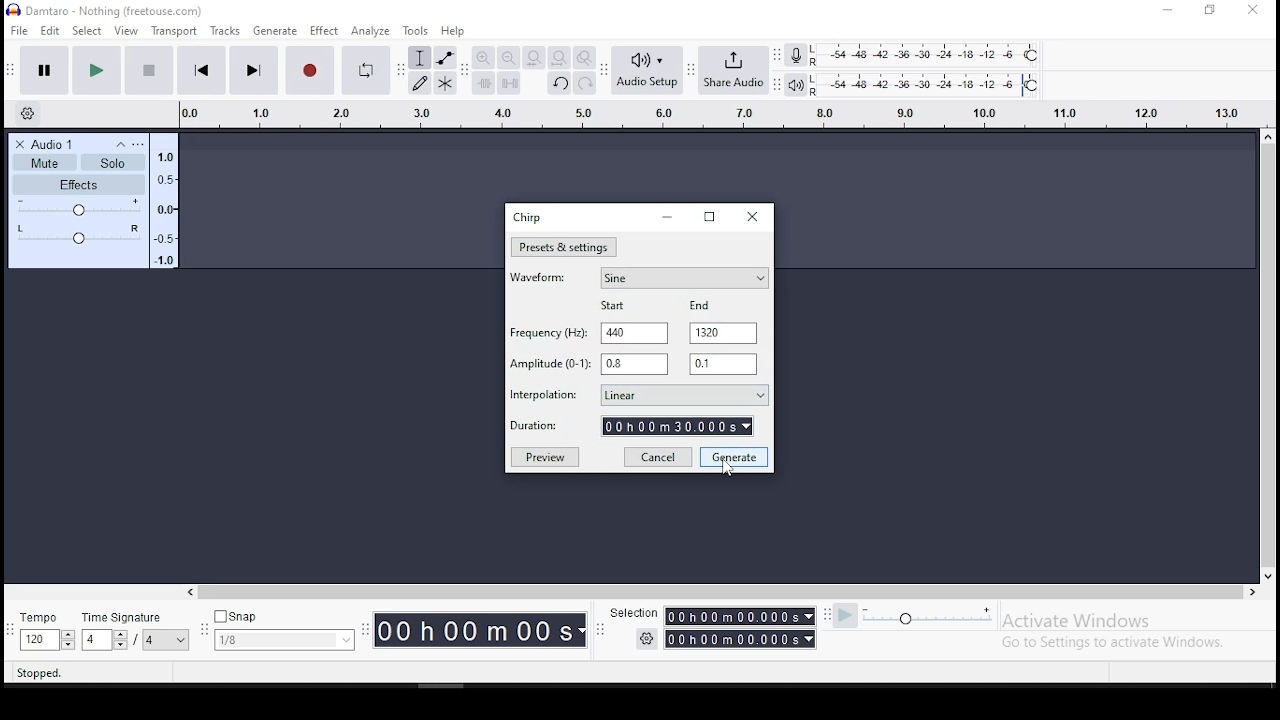 This screenshot has width=1280, height=720. Describe the element at coordinates (112, 11) in the screenshot. I see `icon and file name` at that location.